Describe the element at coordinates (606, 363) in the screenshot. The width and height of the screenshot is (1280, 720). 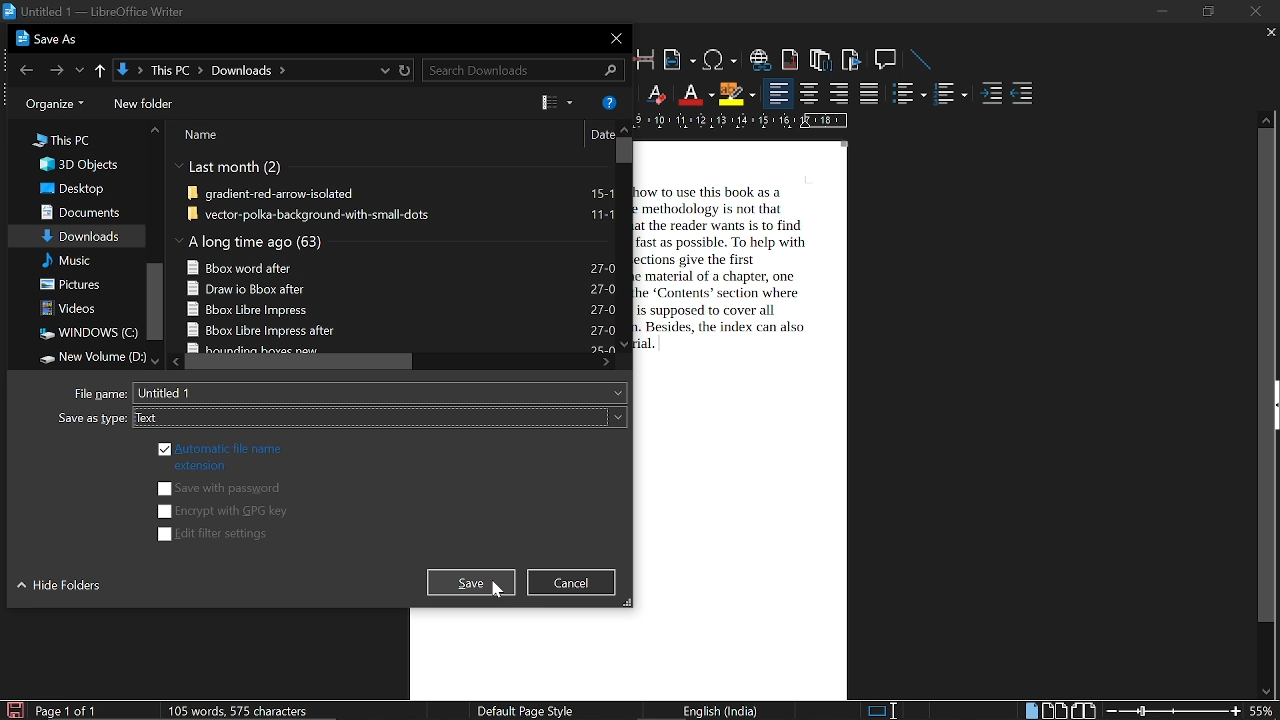
I see `move right` at that location.